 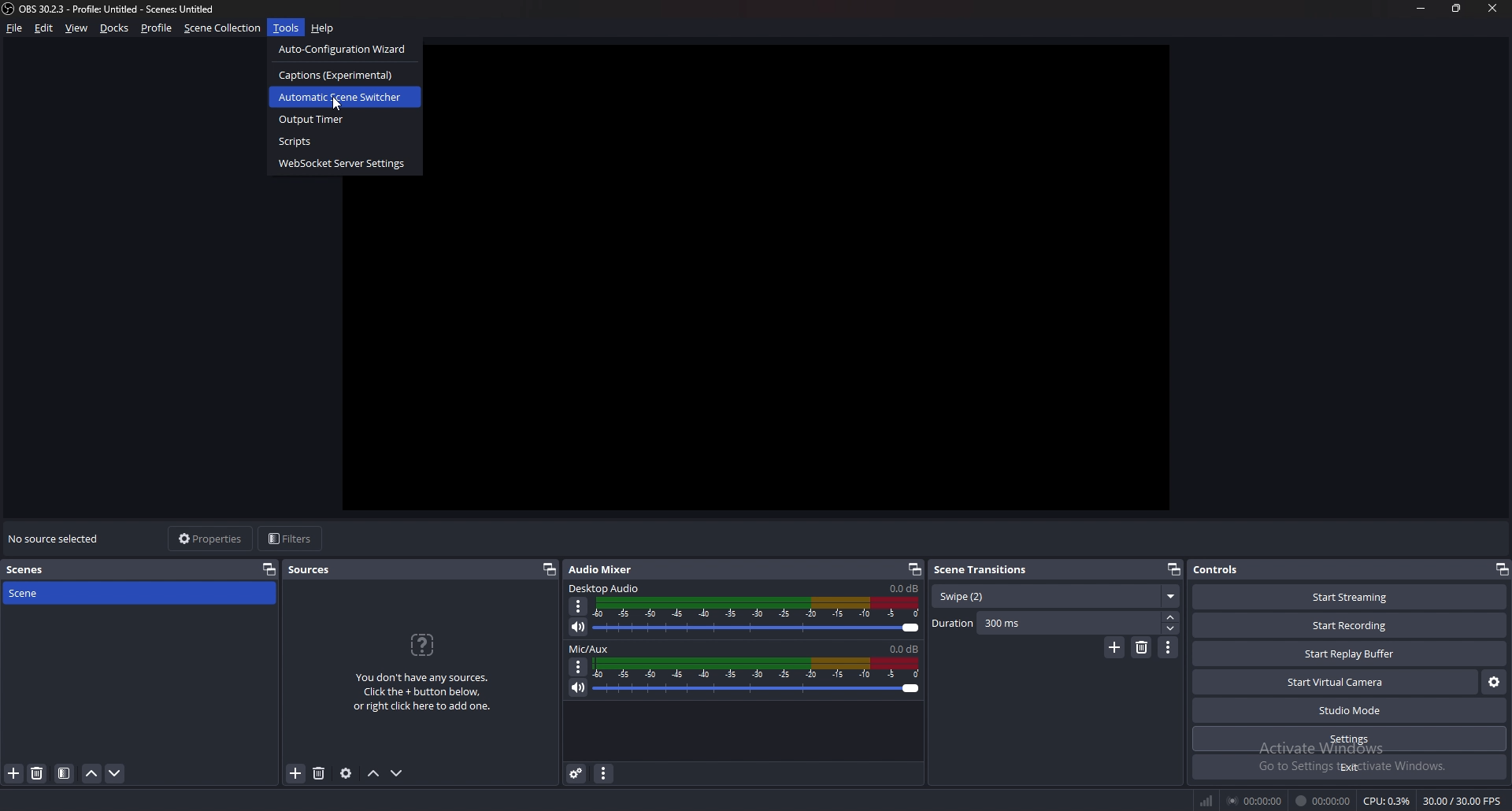 What do you see at coordinates (1046, 623) in the screenshot?
I see `duration` at bounding box center [1046, 623].